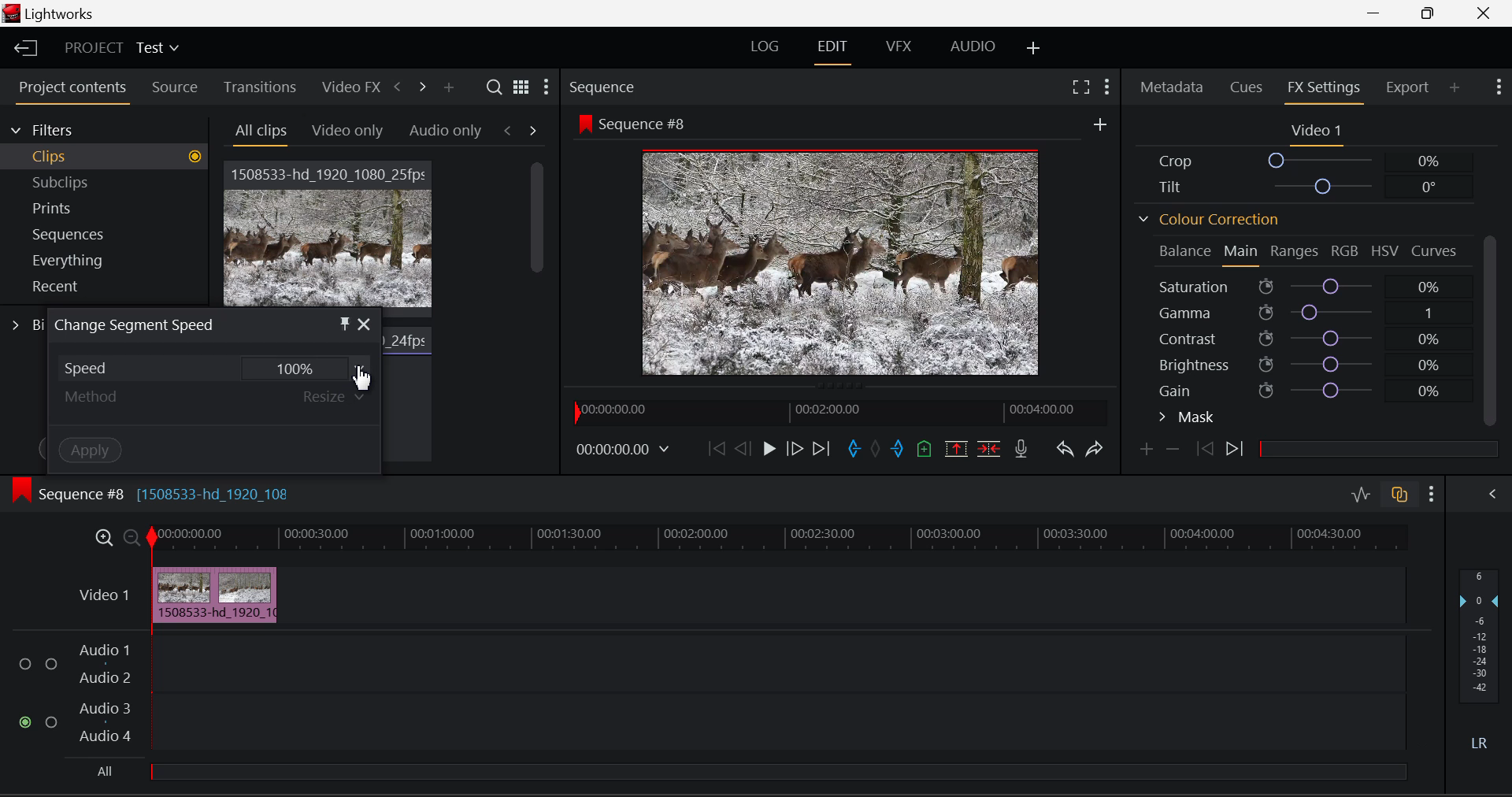 Image resolution: width=1512 pixels, height=797 pixels. I want to click on Project Timeline Preview Slider, so click(832, 410).